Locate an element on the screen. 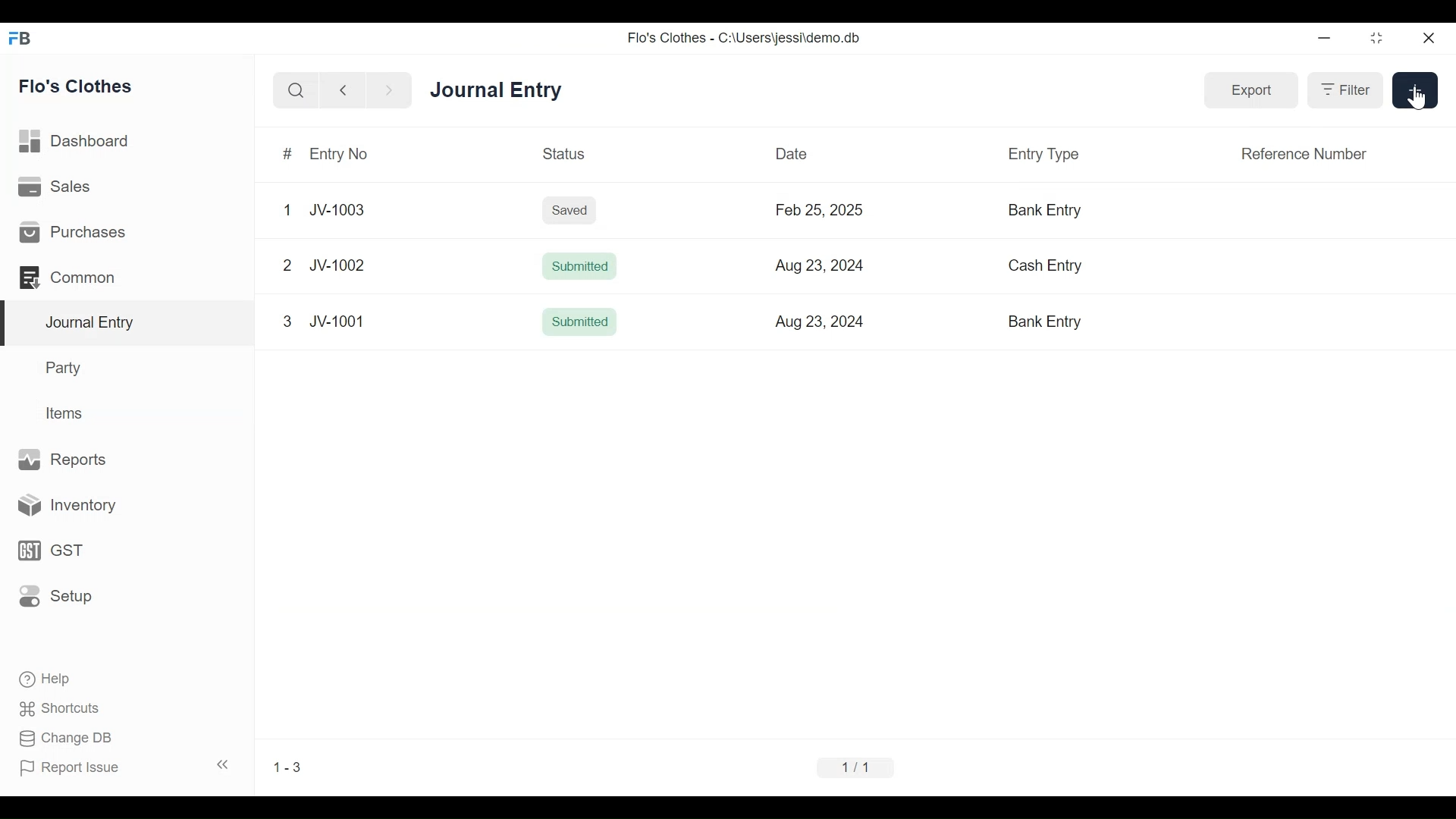  Dashboard is located at coordinates (75, 140).